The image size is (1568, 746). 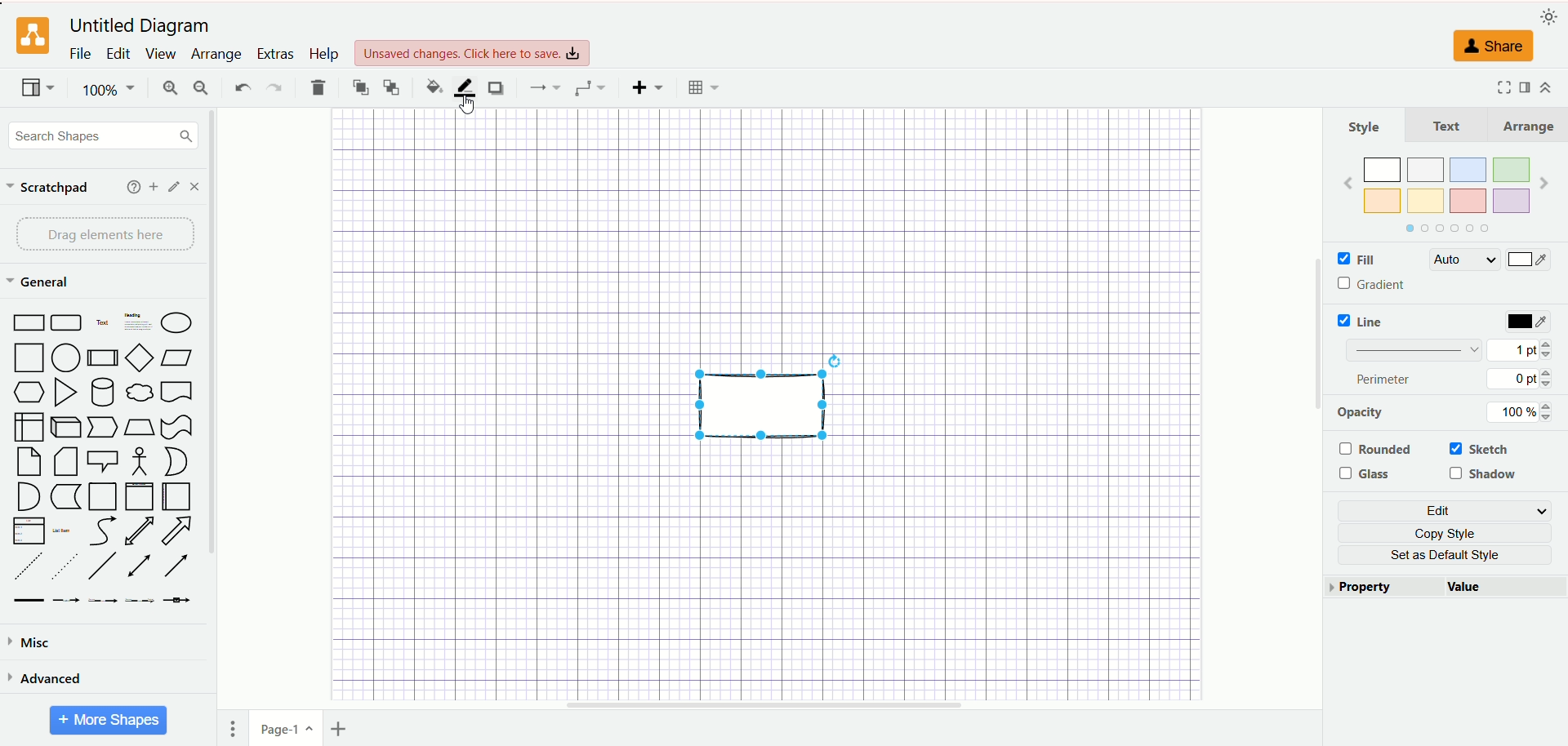 I want to click on page-1, so click(x=283, y=730).